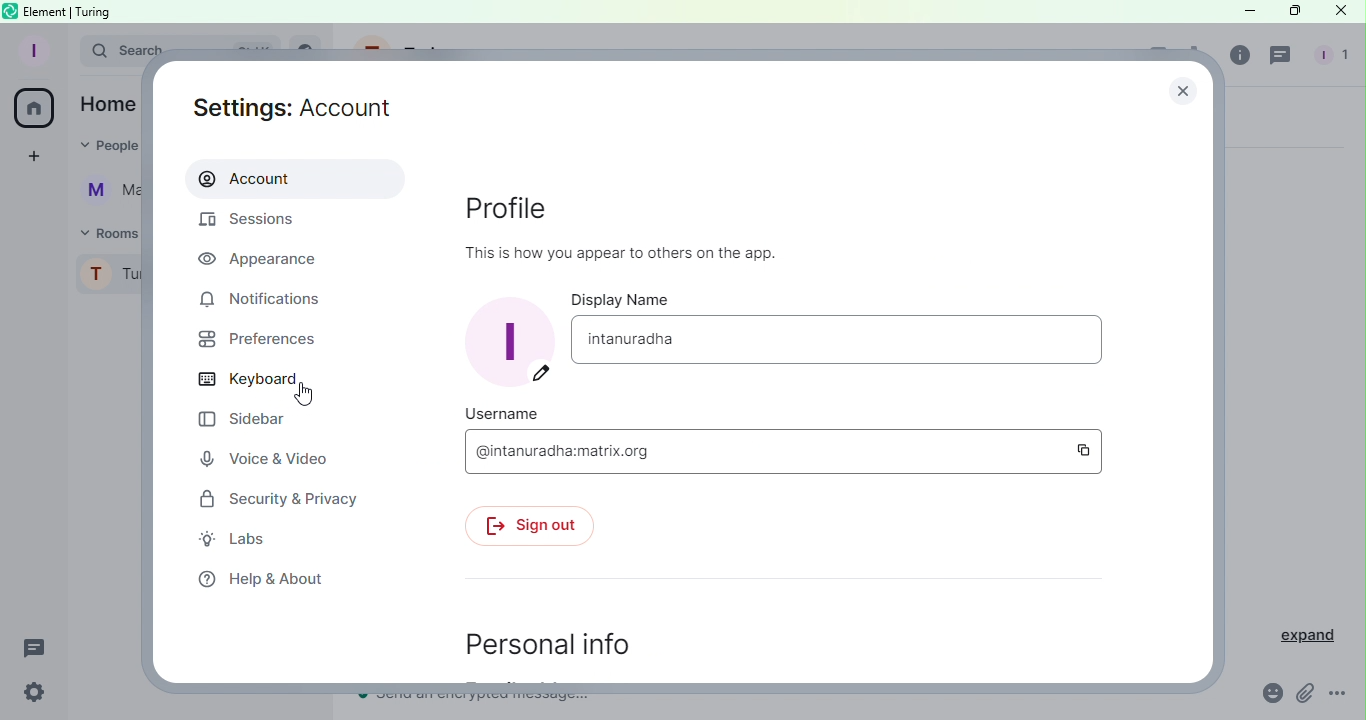 This screenshot has width=1366, height=720. What do you see at coordinates (1299, 635) in the screenshot?
I see `Expand` at bounding box center [1299, 635].